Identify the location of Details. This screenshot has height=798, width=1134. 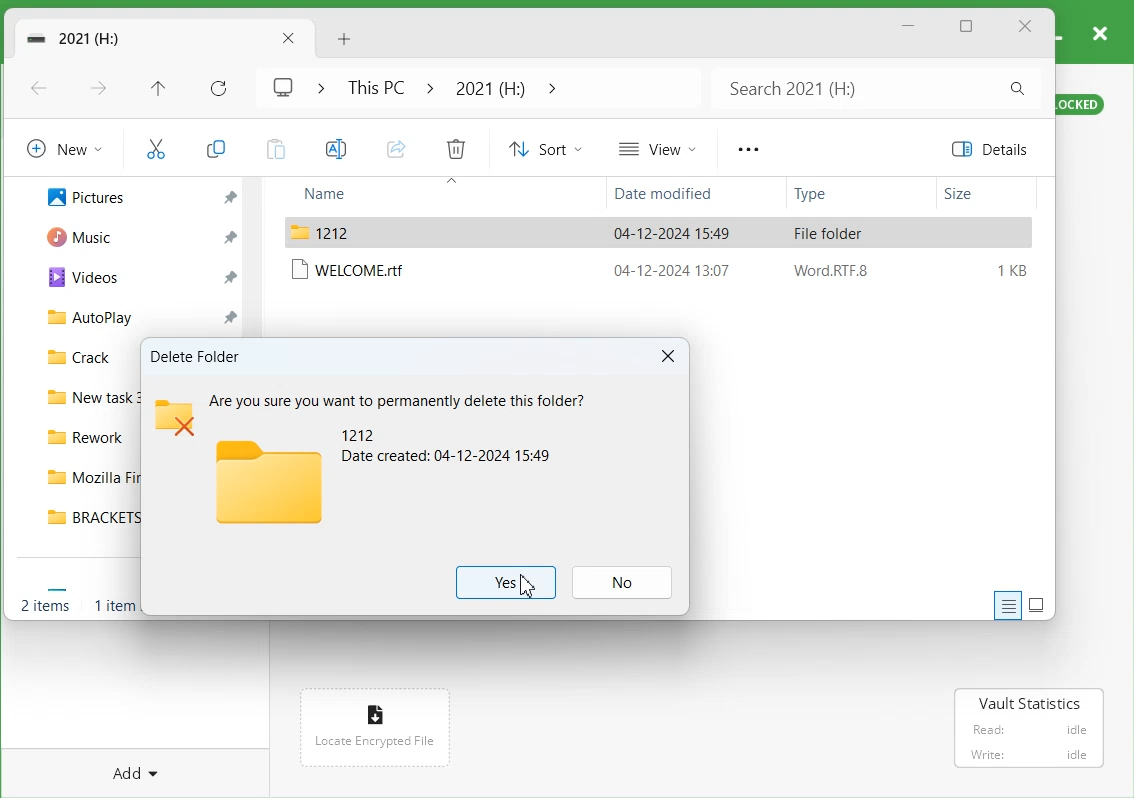
(995, 149).